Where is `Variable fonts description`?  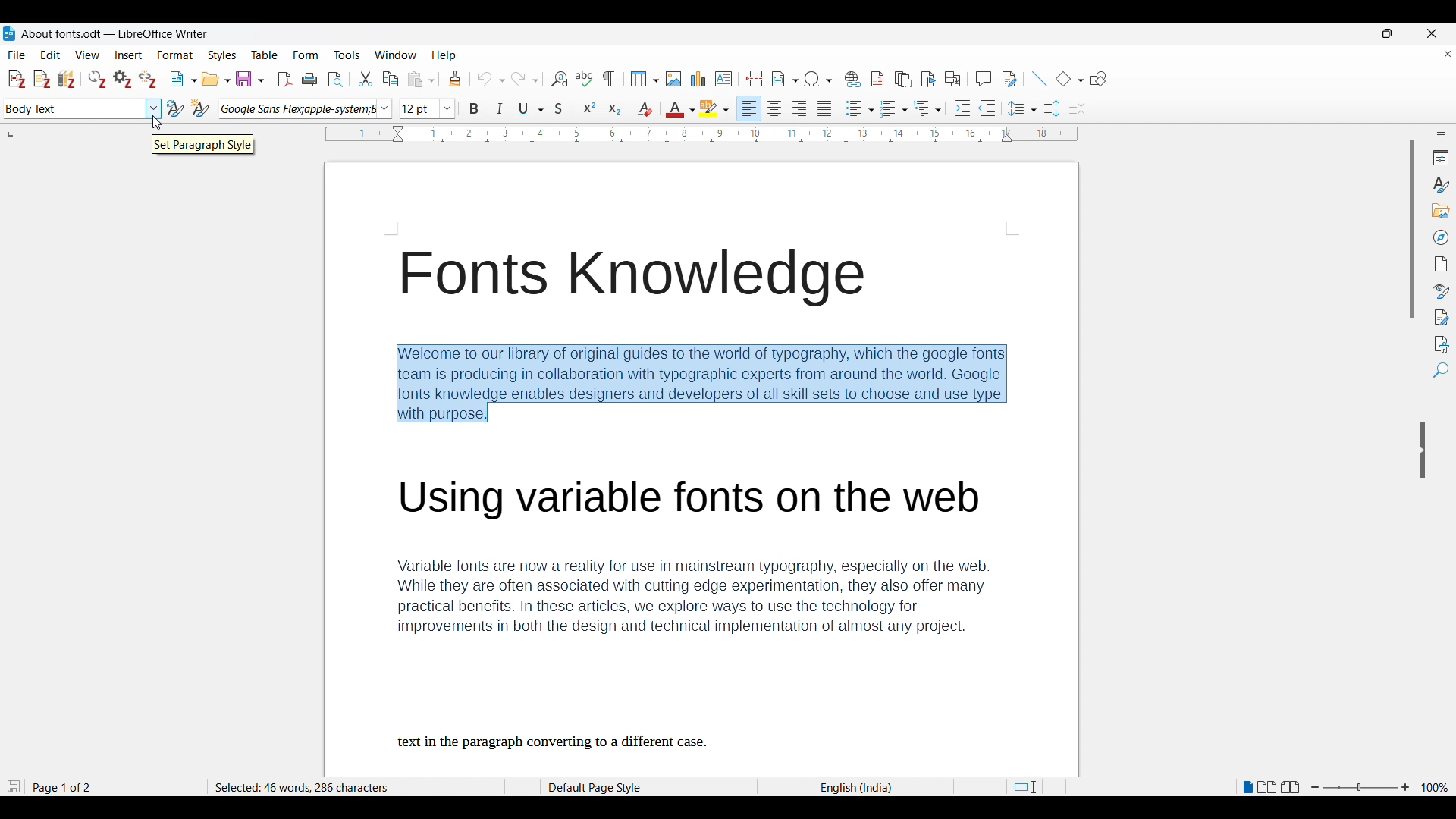 Variable fonts description is located at coordinates (691, 595).